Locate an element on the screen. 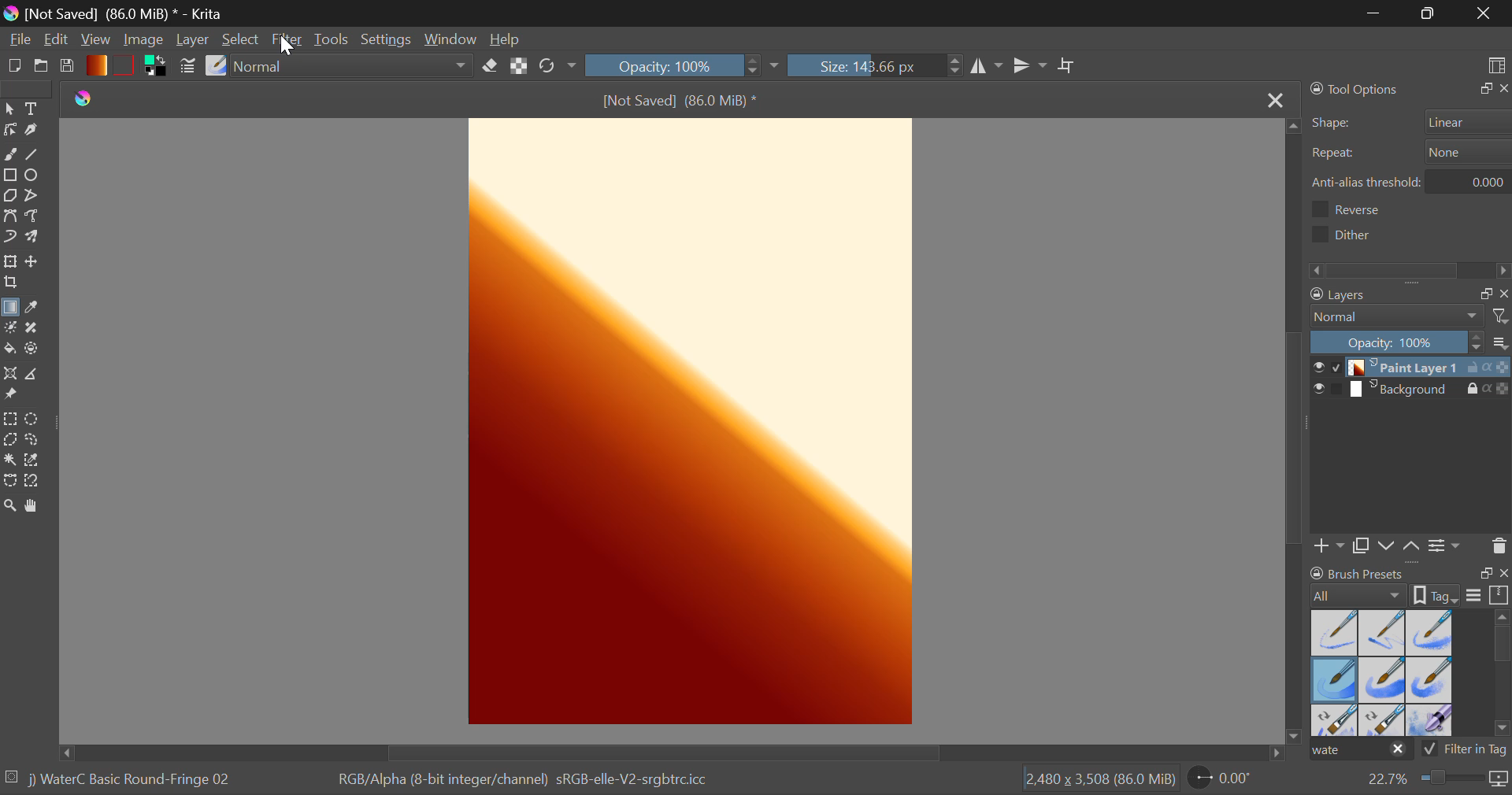  horizontal scroll bar is located at coordinates (1503, 675).